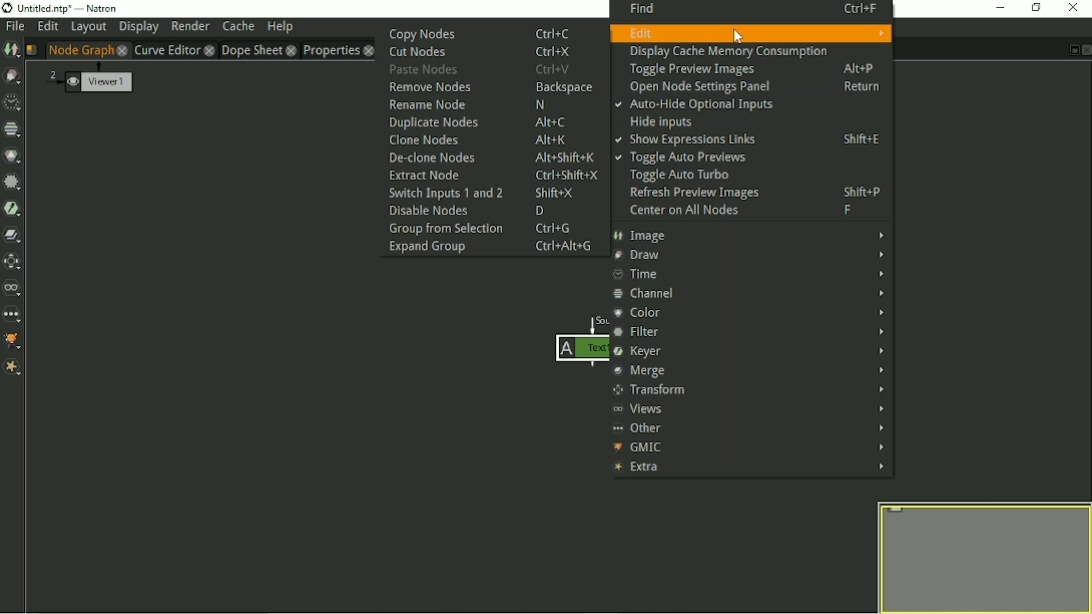 This screenshot has width=1092, height=614. I want to click on Display Cache Memory Consumption, so click(727, 52).